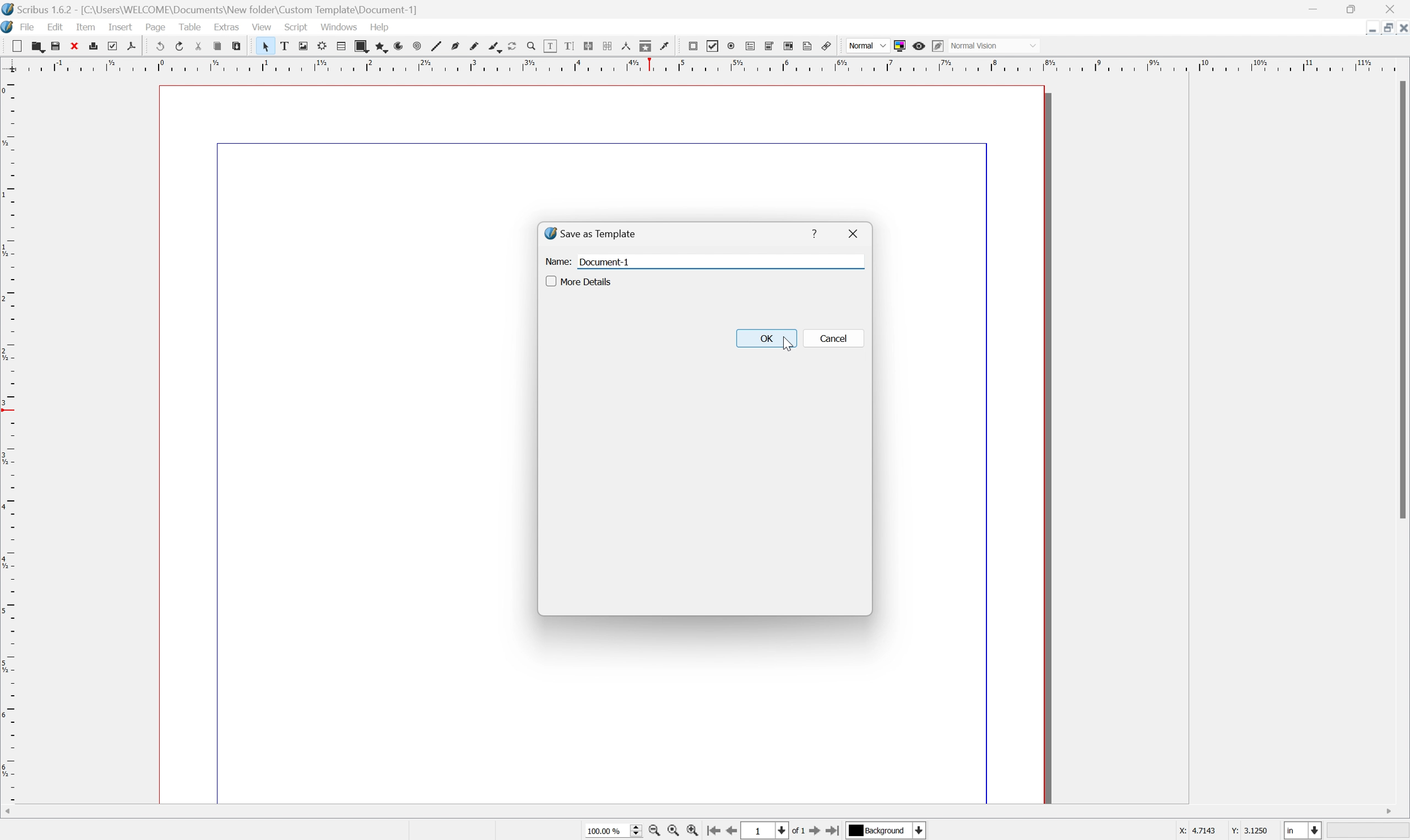 This screenshot has height=840, width=1410. Describe the element at coordinates (817, 830) in the screenshot. I see `Go to next page` at that location.